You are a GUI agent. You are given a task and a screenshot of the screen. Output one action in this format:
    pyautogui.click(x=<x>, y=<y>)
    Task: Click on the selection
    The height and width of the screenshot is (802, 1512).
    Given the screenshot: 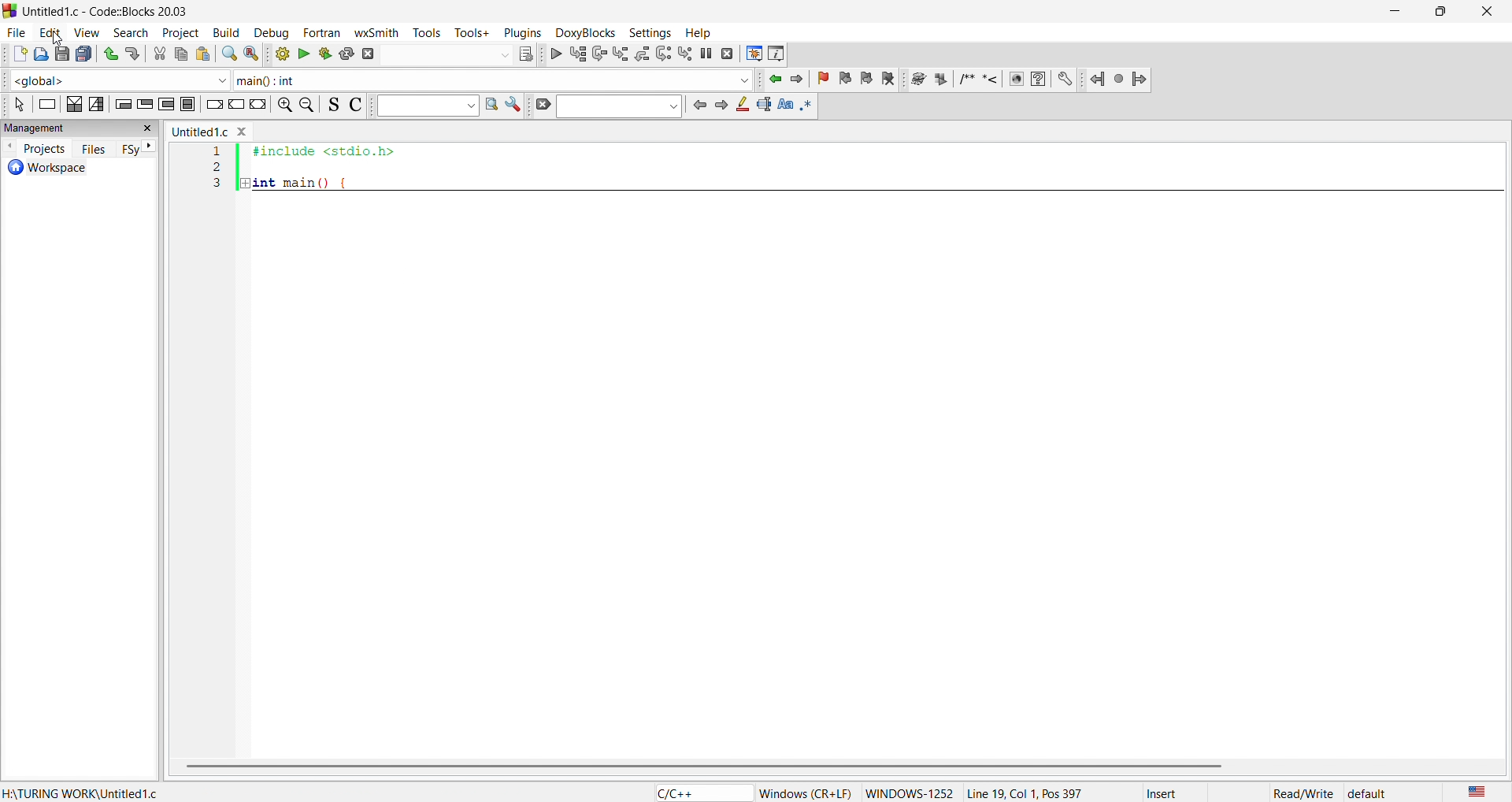 What is the action you would take?
    pyautogui.click(x=97, y=103)
    